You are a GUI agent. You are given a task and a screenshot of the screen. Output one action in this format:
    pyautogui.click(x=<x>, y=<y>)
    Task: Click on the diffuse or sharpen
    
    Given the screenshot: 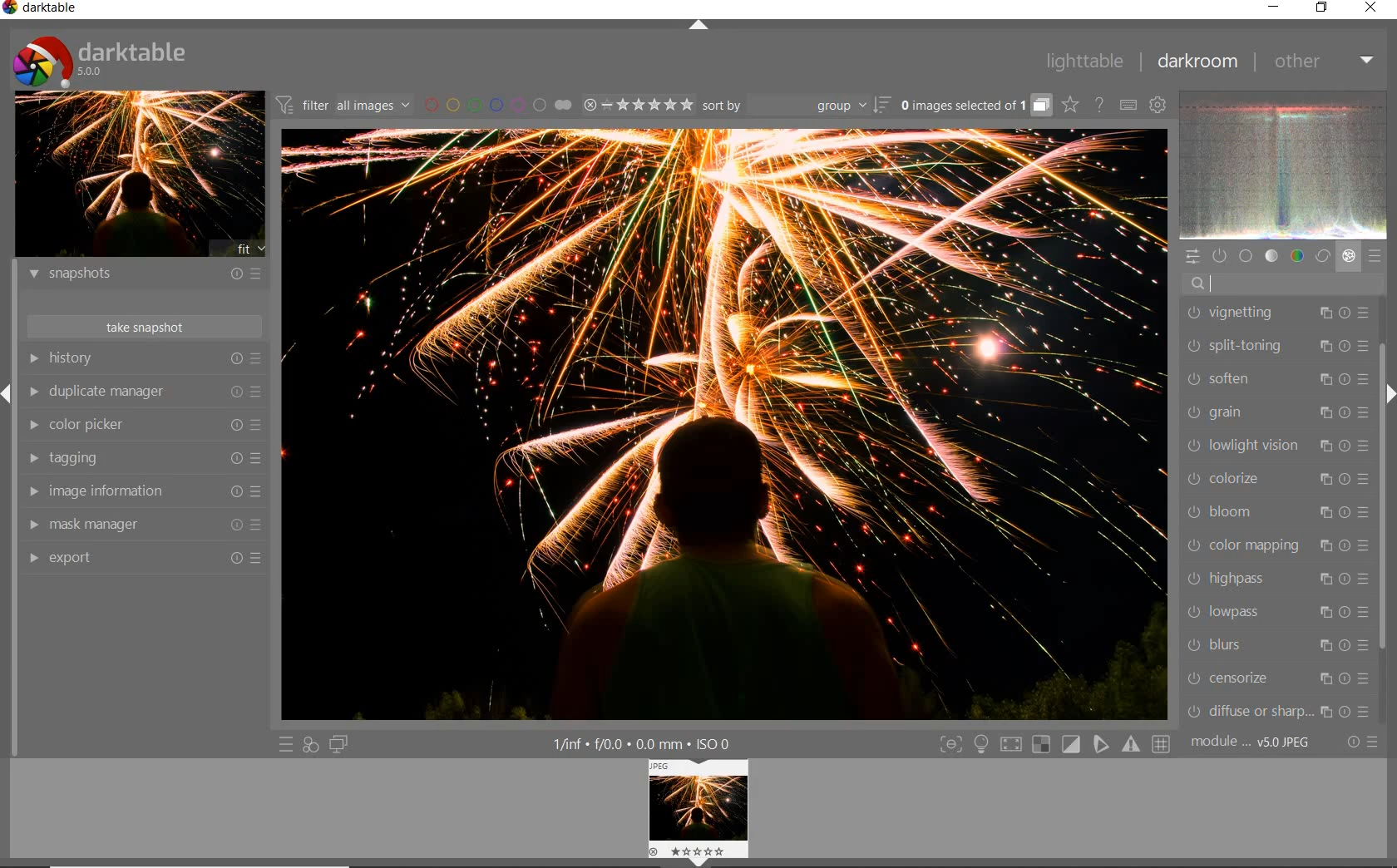 What is the action you would take?
    pyautogui.click(x=1277, y=711)
    